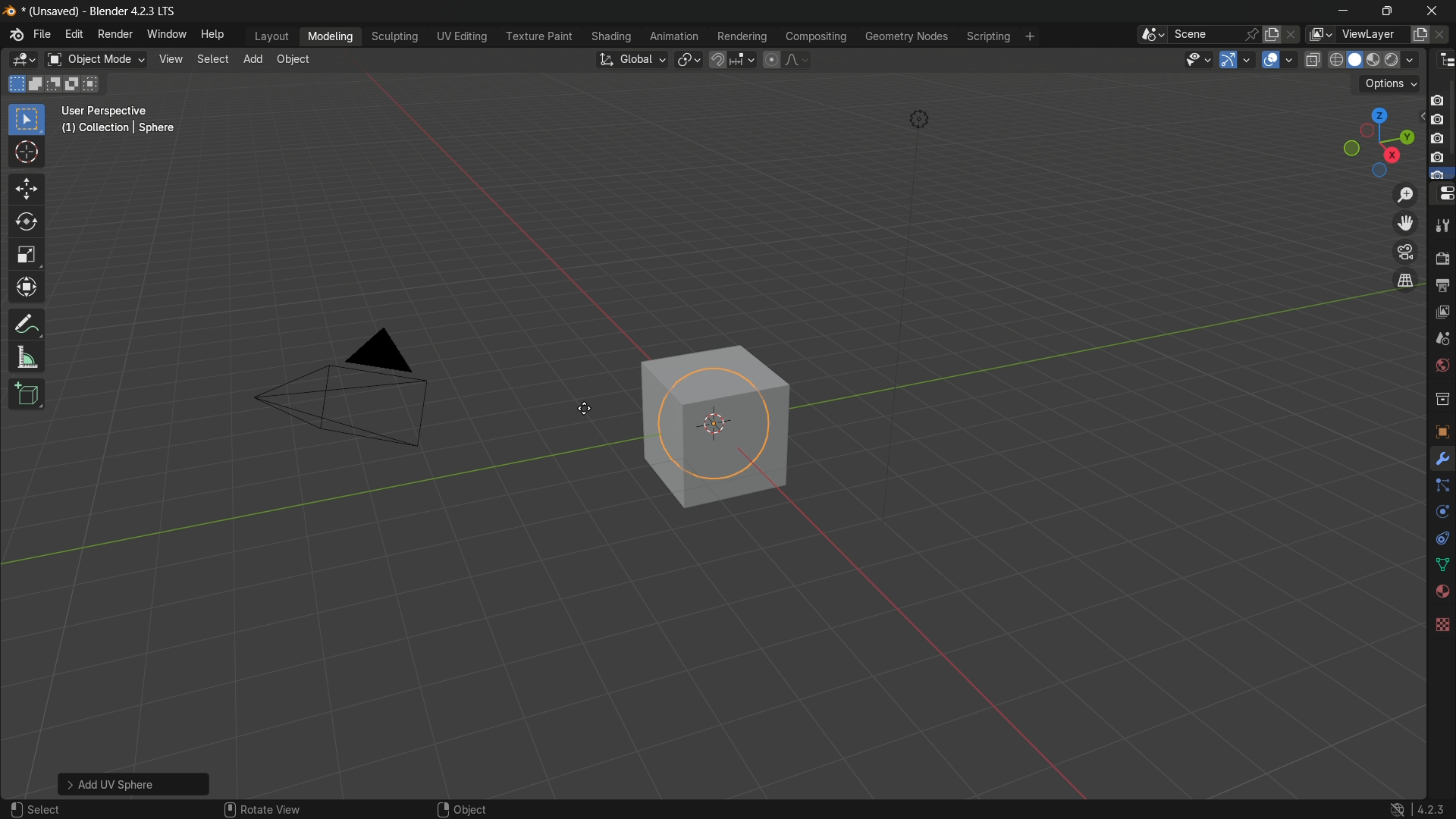 The height and width of the screenshot is (819, 1456). I want to click on minimize, so click(1343, 12).